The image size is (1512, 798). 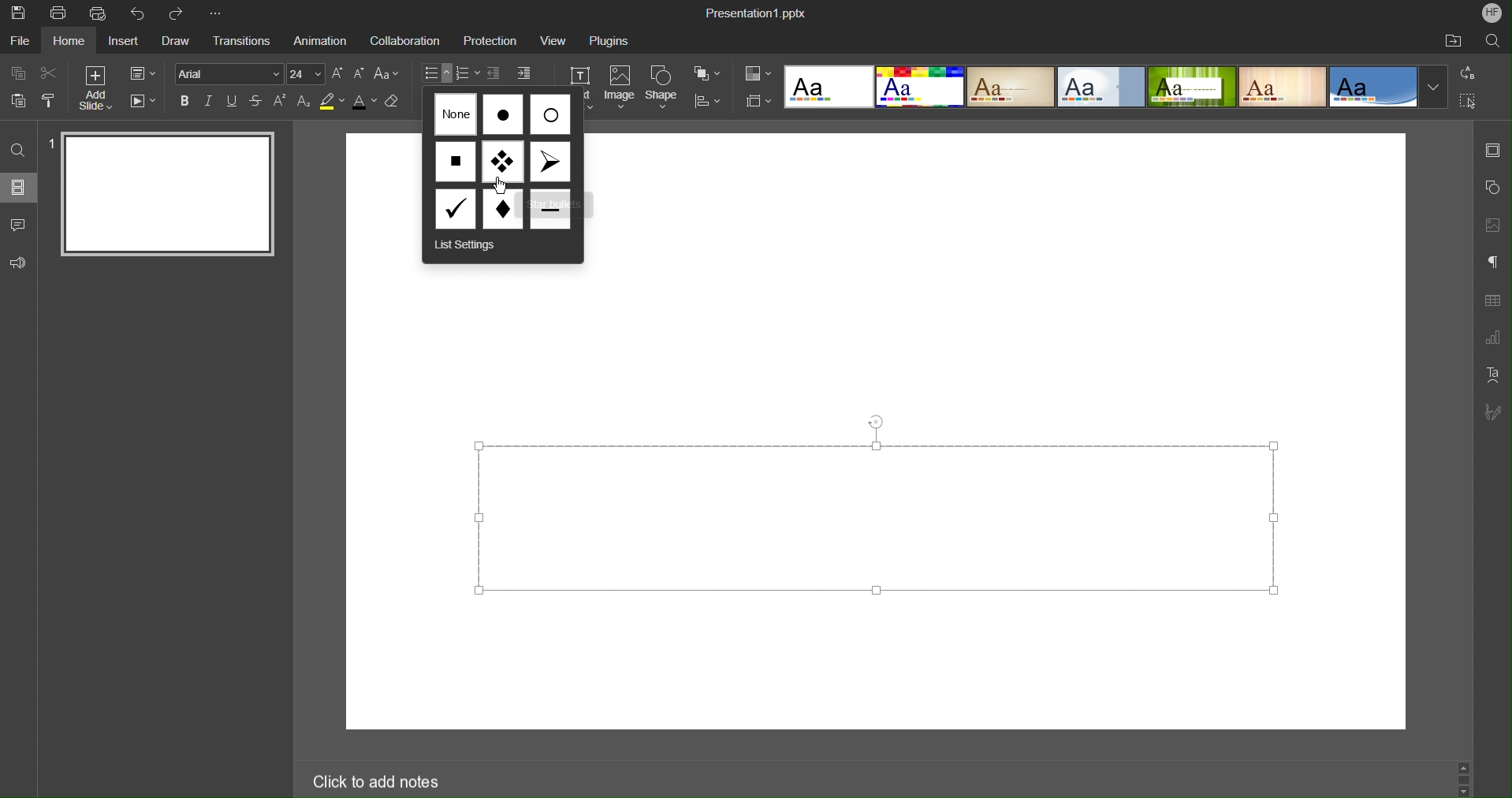 I want to click on Bullets, so click(x=437, y=73).